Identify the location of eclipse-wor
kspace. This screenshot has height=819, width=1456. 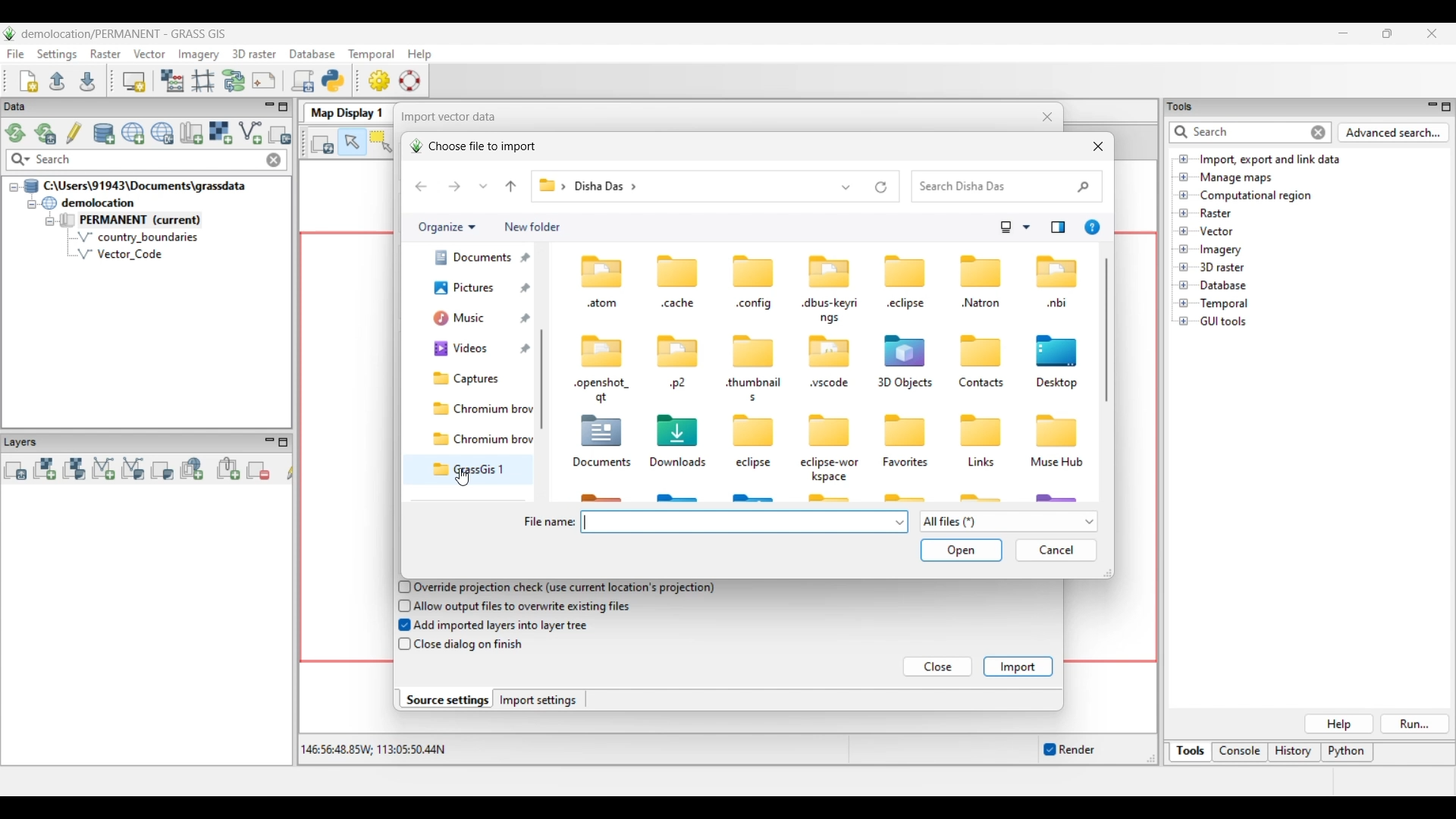
(831, 469).